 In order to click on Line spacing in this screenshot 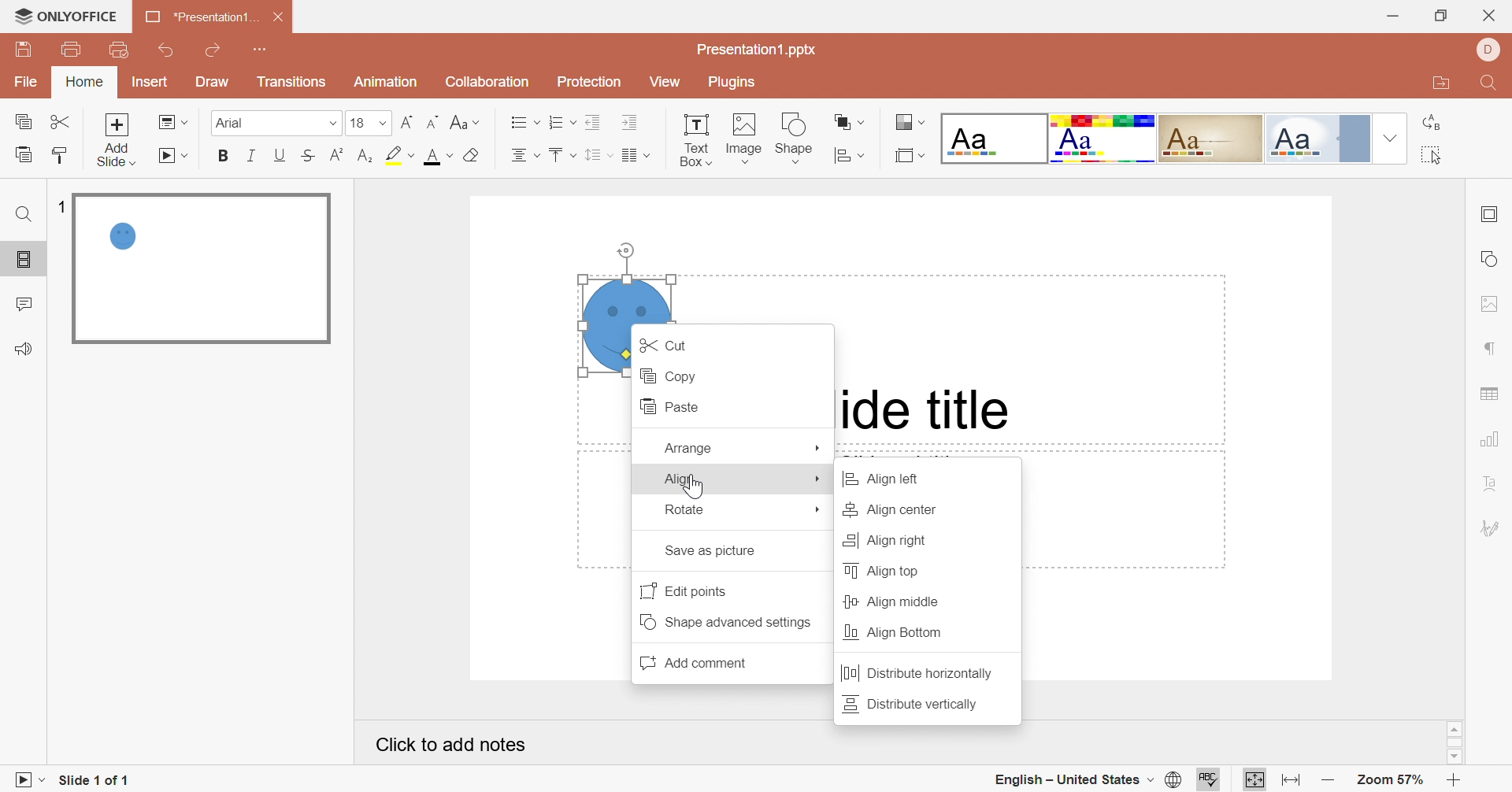, I will do `click(598, 156)`.